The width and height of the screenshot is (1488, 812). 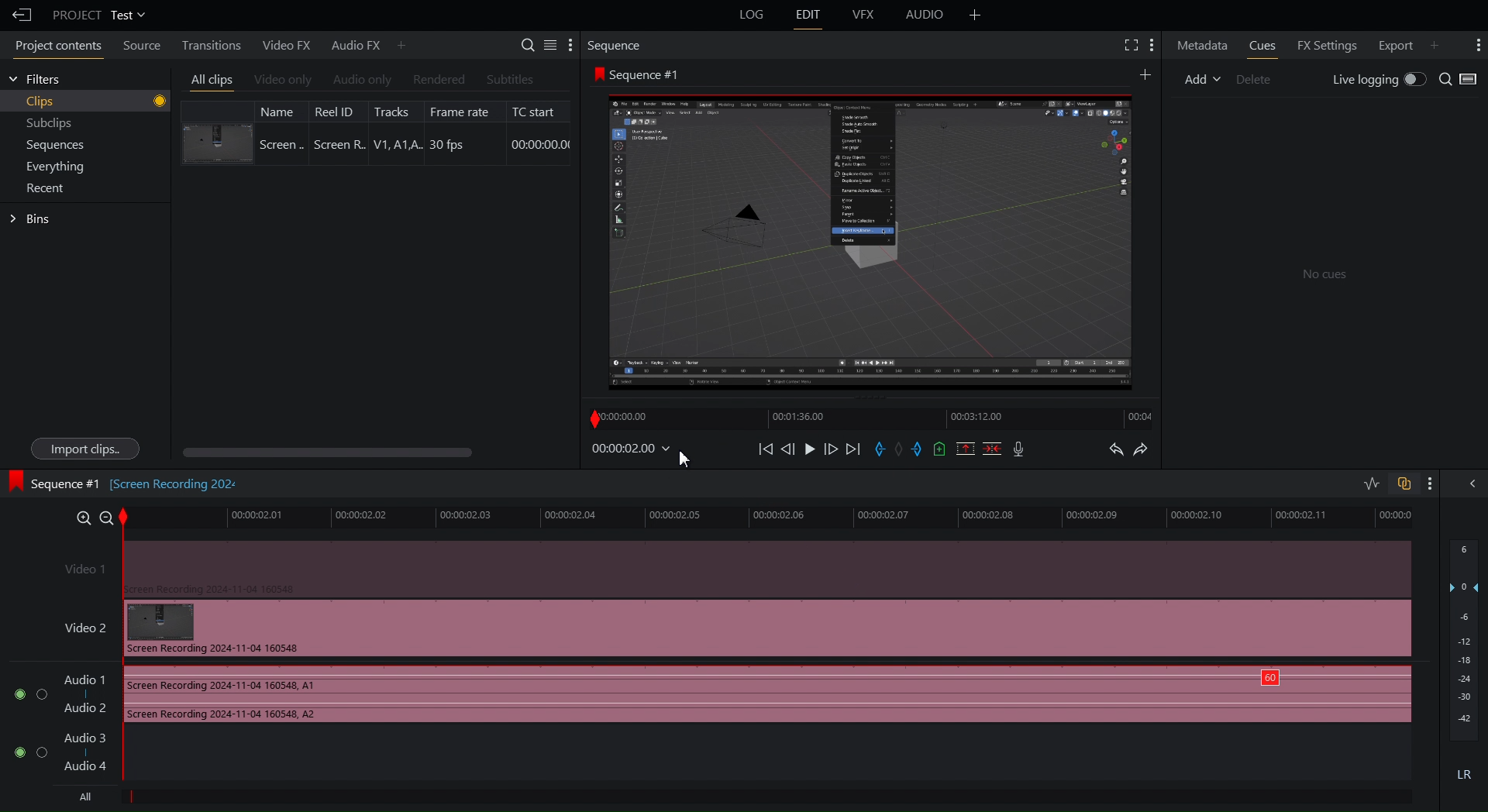 What do you see at coordinates (50, 126) in the screenshot?
I see `Subclips` at bounding box center [50, 126].